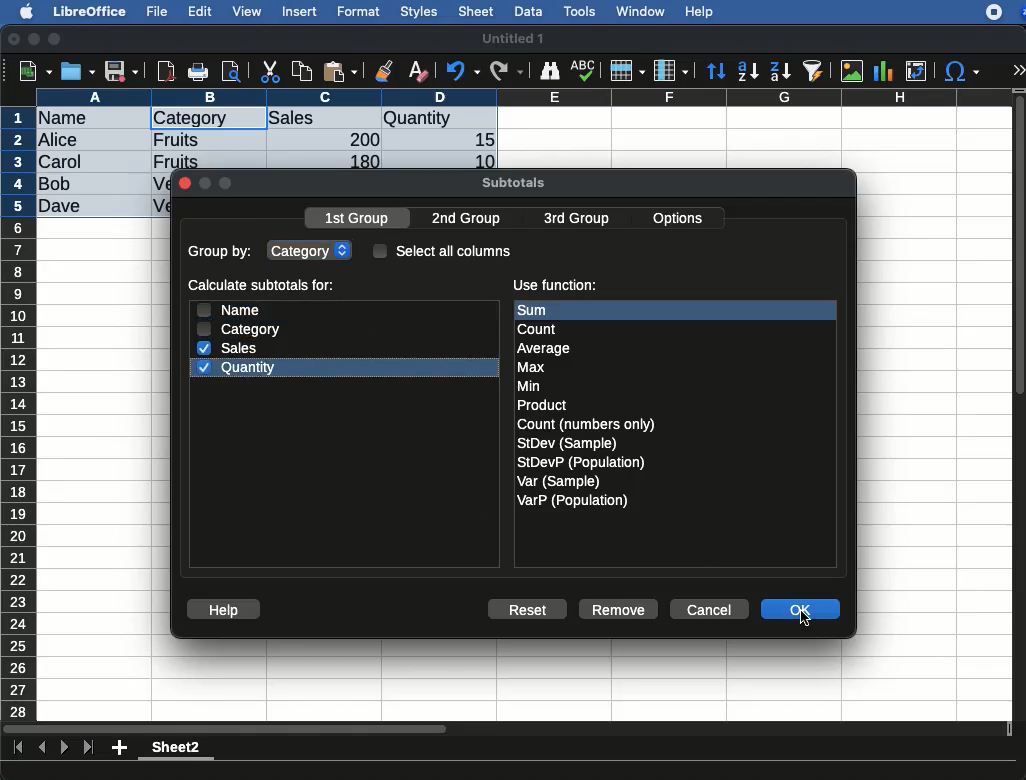  I want to click on sort, so click(715, 72).